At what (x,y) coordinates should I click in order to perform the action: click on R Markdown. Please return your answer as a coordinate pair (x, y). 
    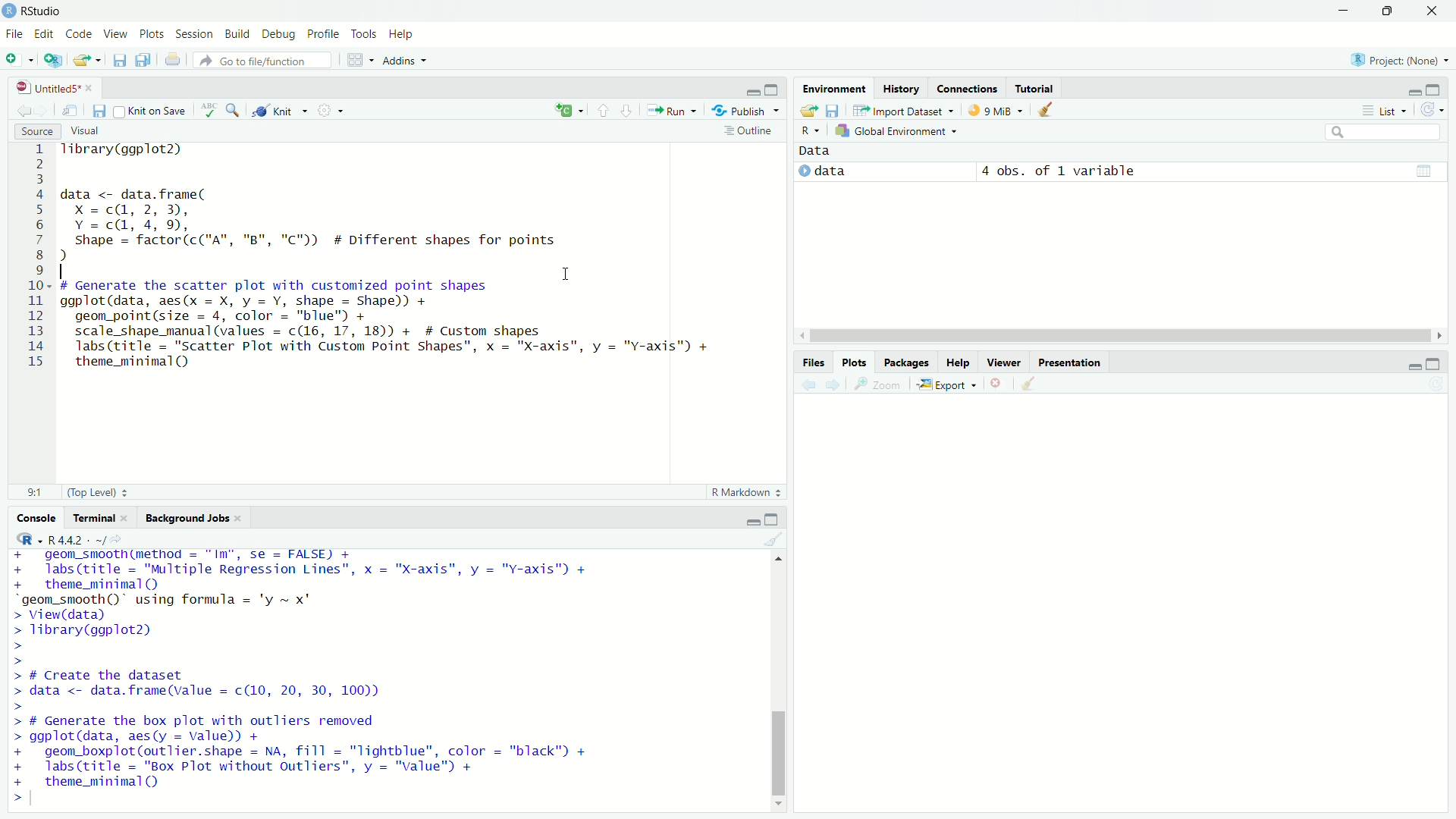
    Looking at the image, I should click on (747, 492).